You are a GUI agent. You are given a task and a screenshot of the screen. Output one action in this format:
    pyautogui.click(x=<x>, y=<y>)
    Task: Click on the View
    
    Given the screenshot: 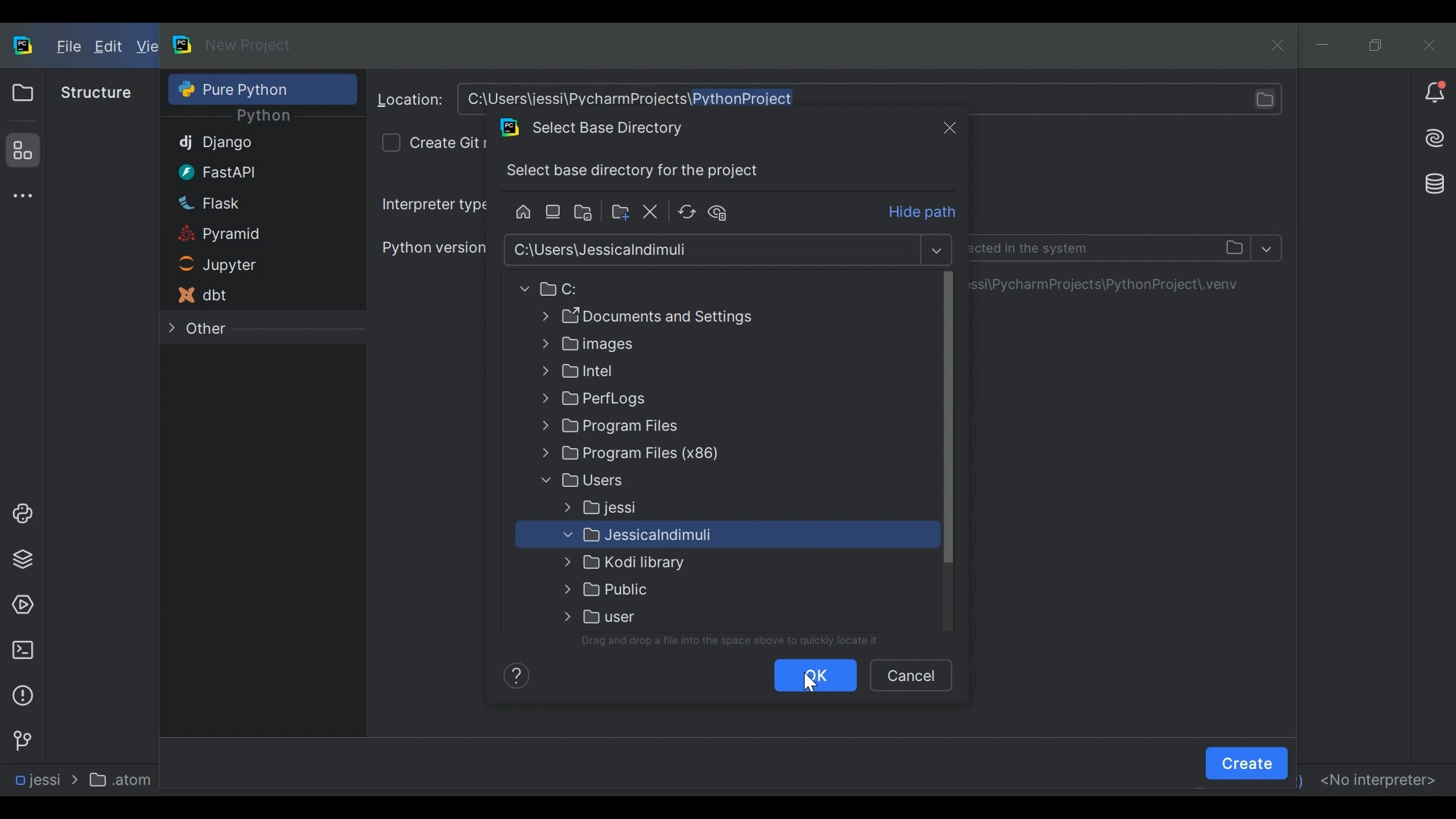 What is the action you would take?
    pyautogui.click(x=146, y=47)
    